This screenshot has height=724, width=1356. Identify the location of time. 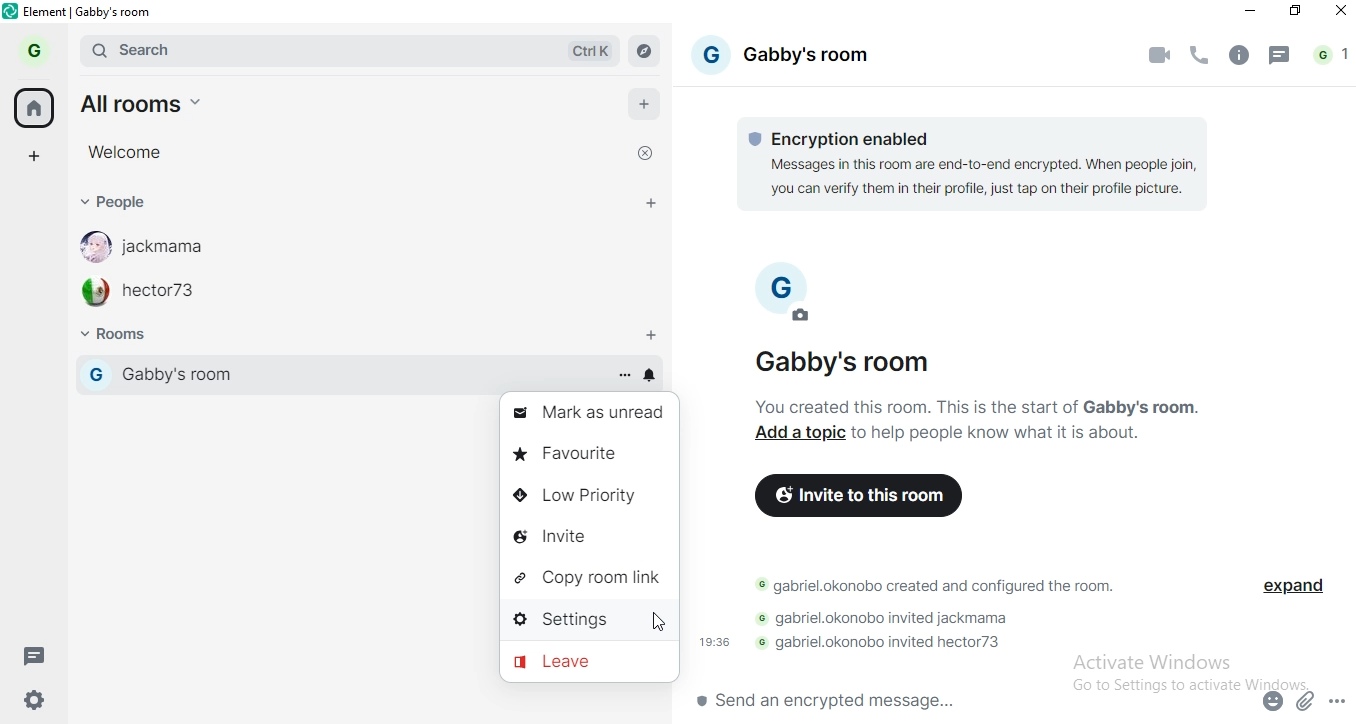
(716, 642).